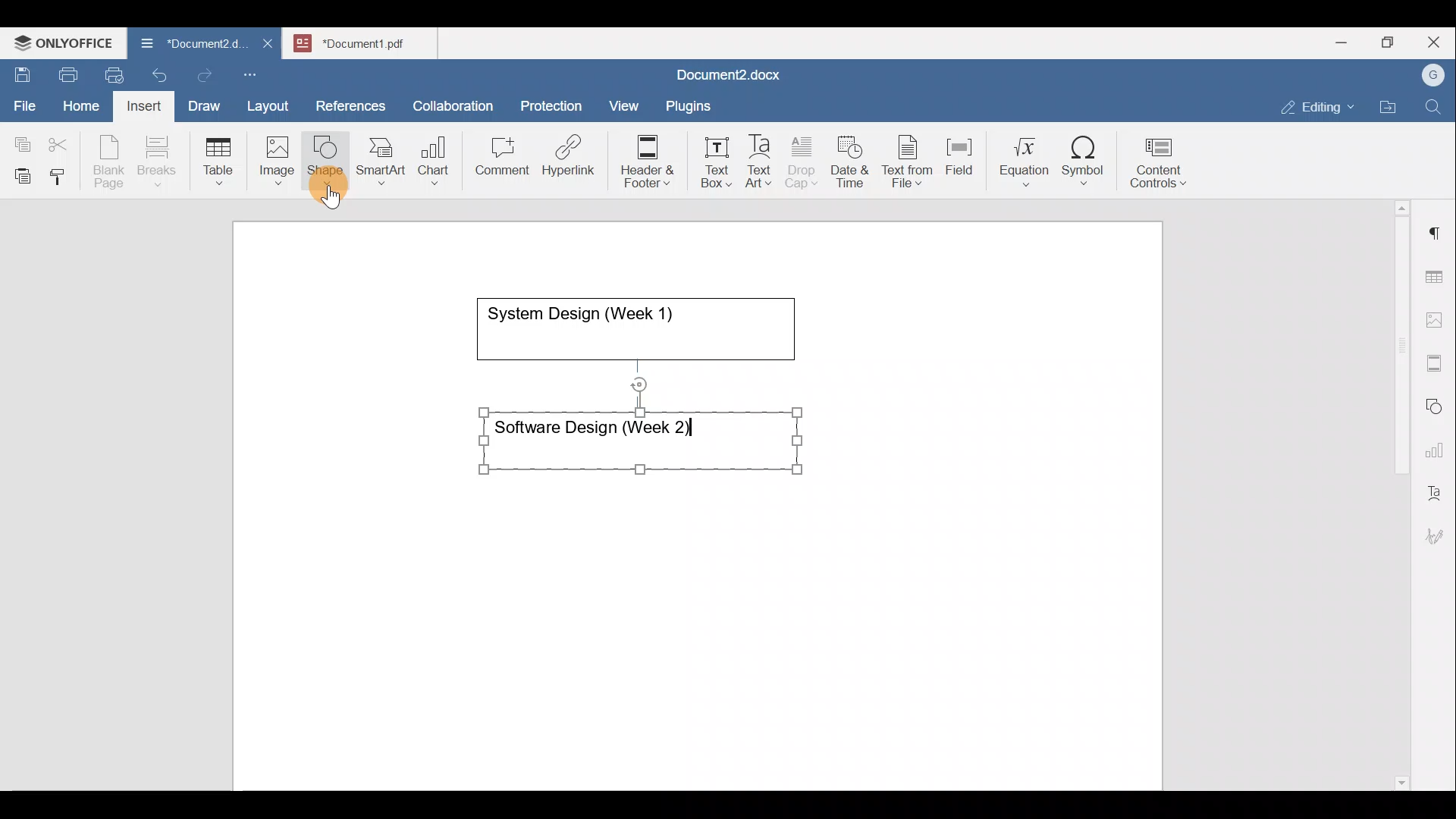  I want to click on Chart settings, so click(1438, 444).